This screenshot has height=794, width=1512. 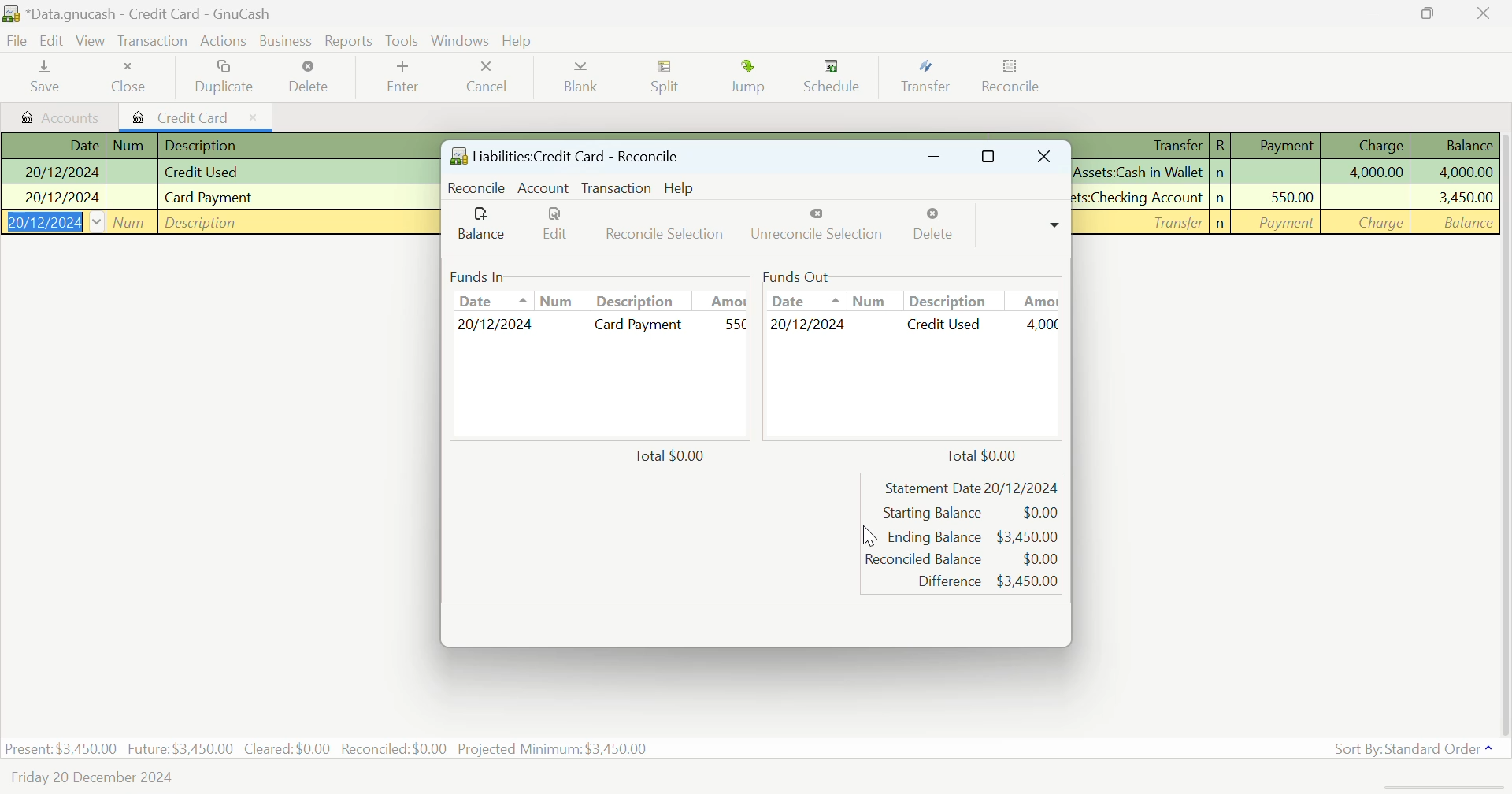 What do you see at coordinates (142, 13) in the screenshot?
I see `*Data.gnucash - Credit Card - GnuCash` at bounding box center [142, 13].